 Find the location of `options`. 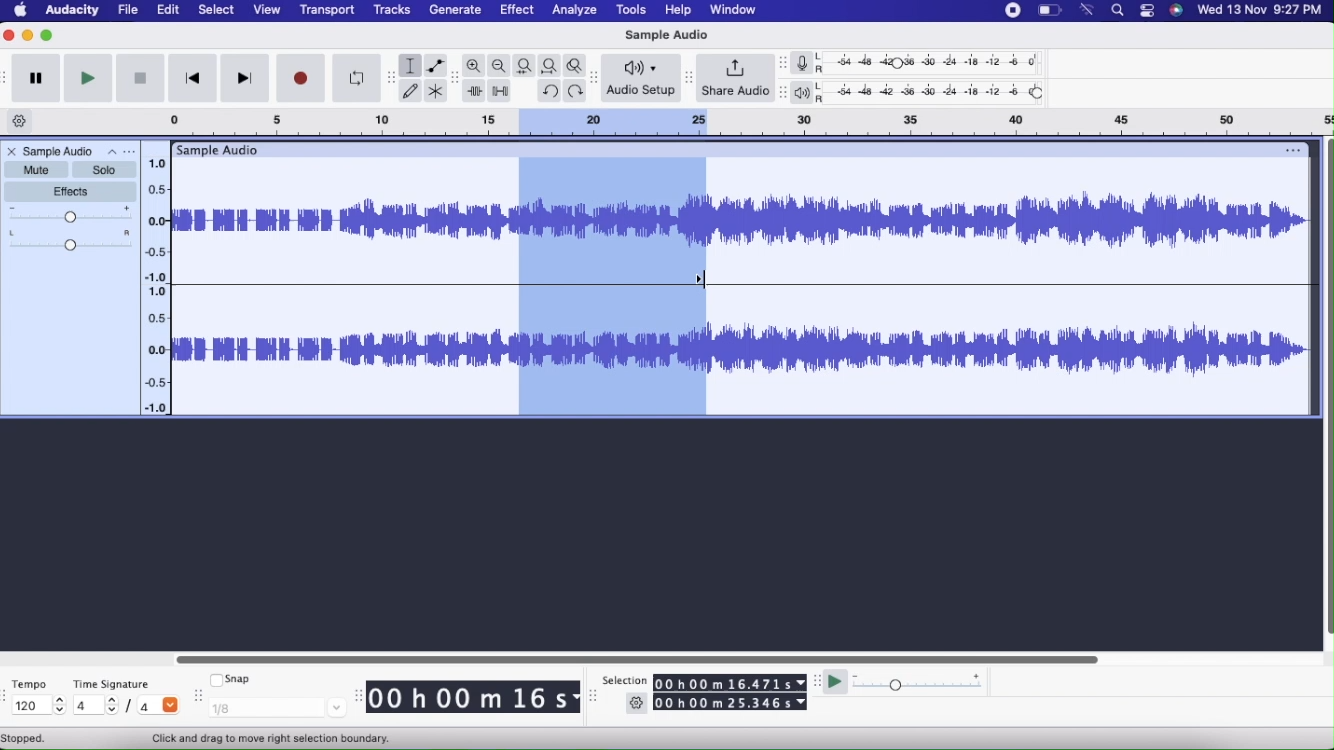

options is located at coordinates (1294, 148).